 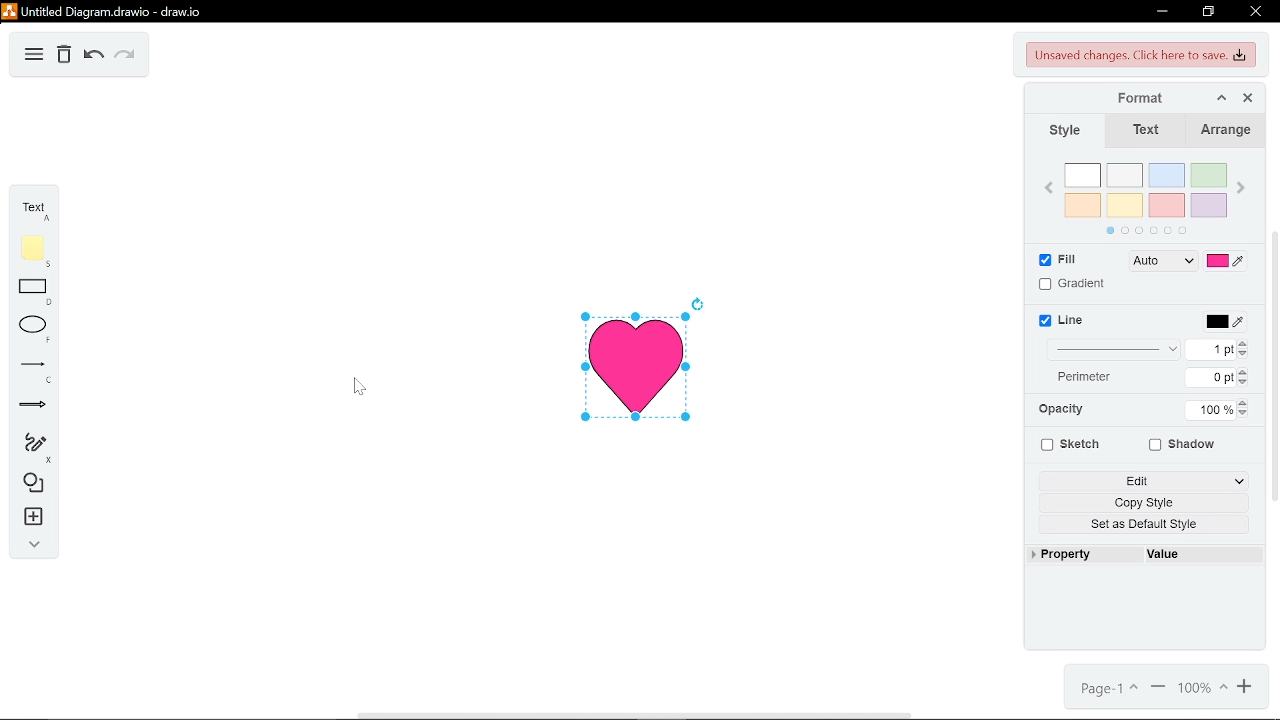 What do you see at coordinates (93, 57) in the screenshot?
I see `undo` at bounding box center [93, 57].